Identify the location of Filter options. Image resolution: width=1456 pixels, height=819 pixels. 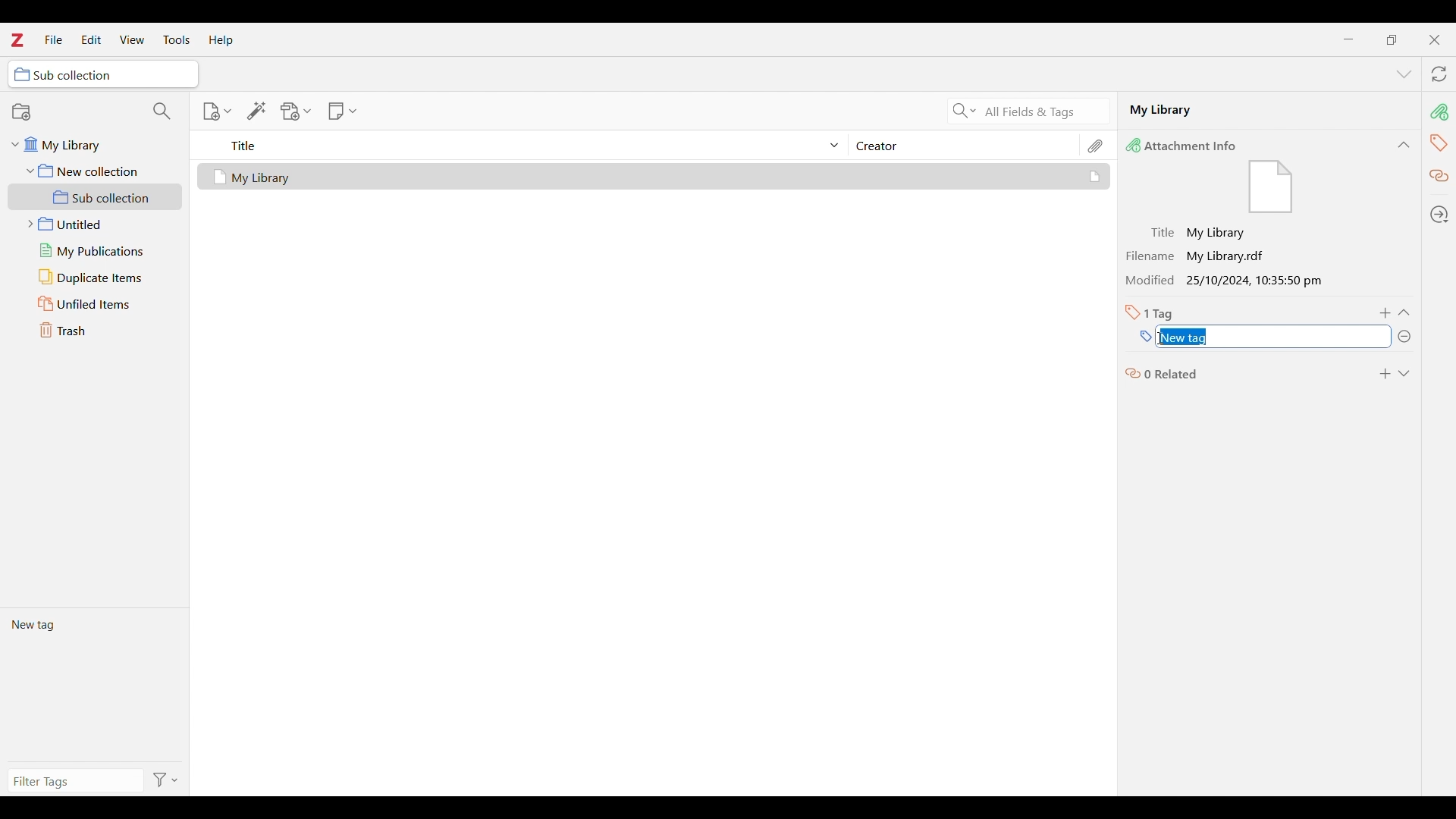
(166, 781).